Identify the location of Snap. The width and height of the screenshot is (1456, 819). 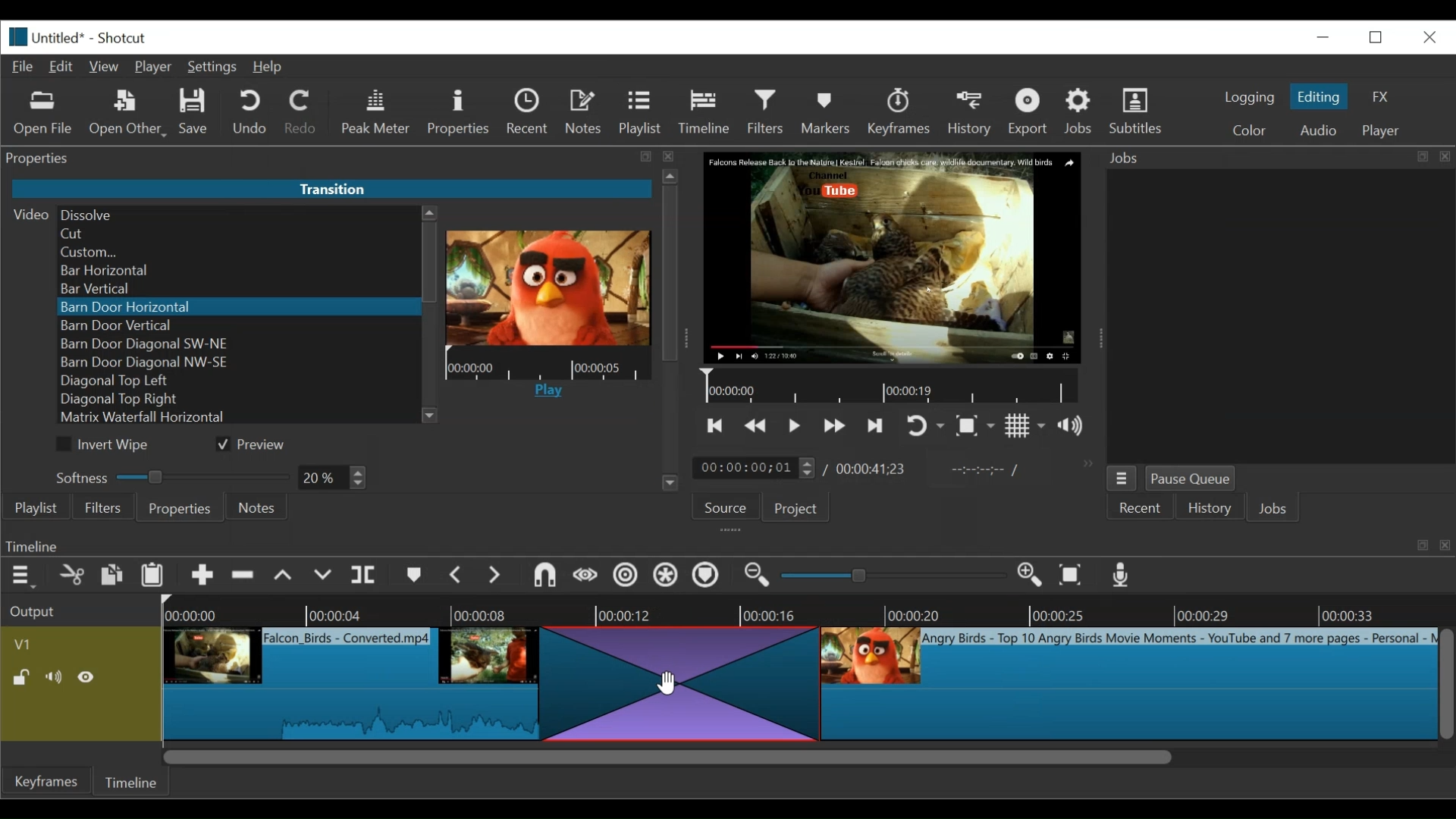
(545, 576).